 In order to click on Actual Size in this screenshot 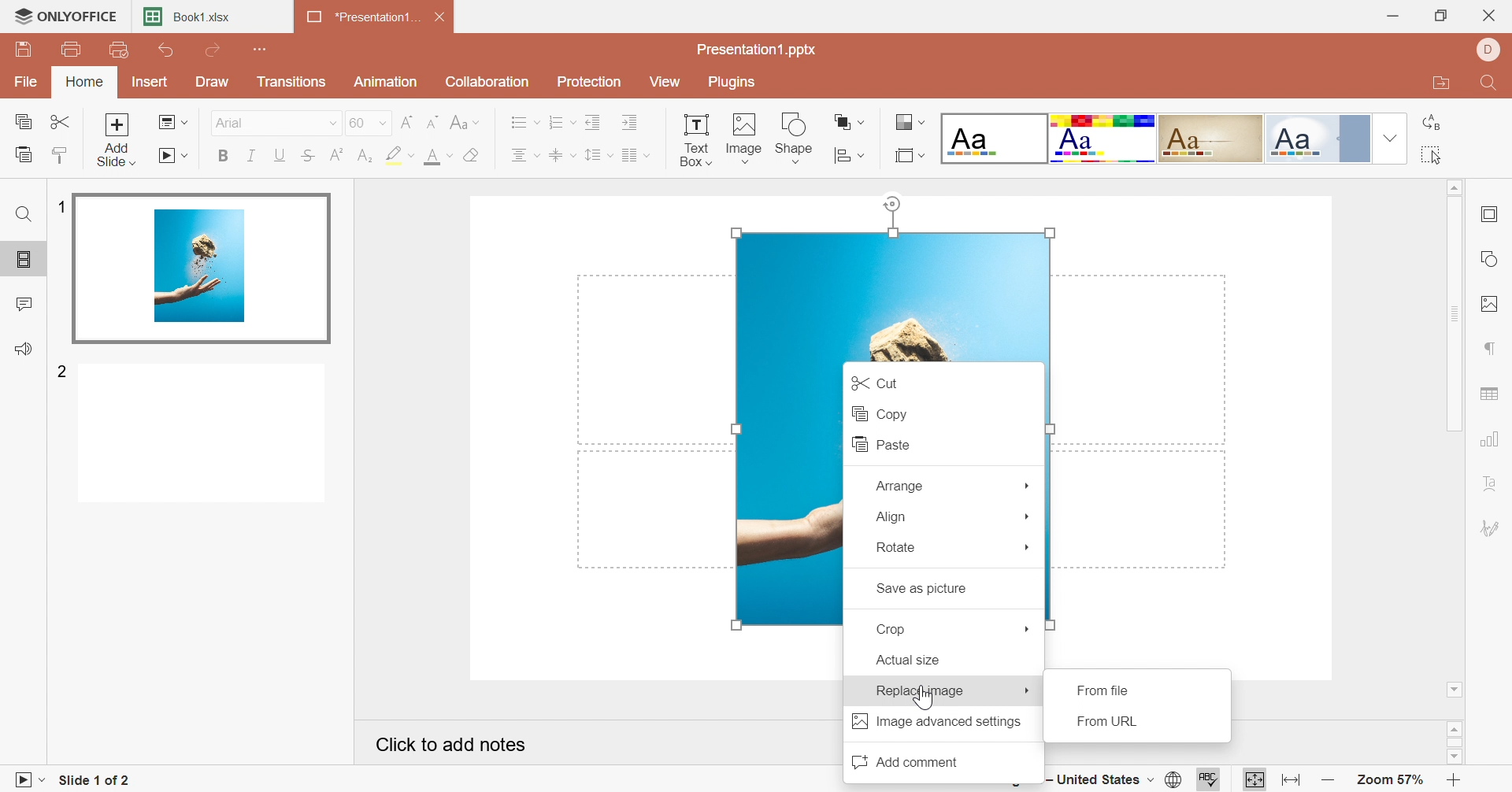, I will do `click(908, 661)`.